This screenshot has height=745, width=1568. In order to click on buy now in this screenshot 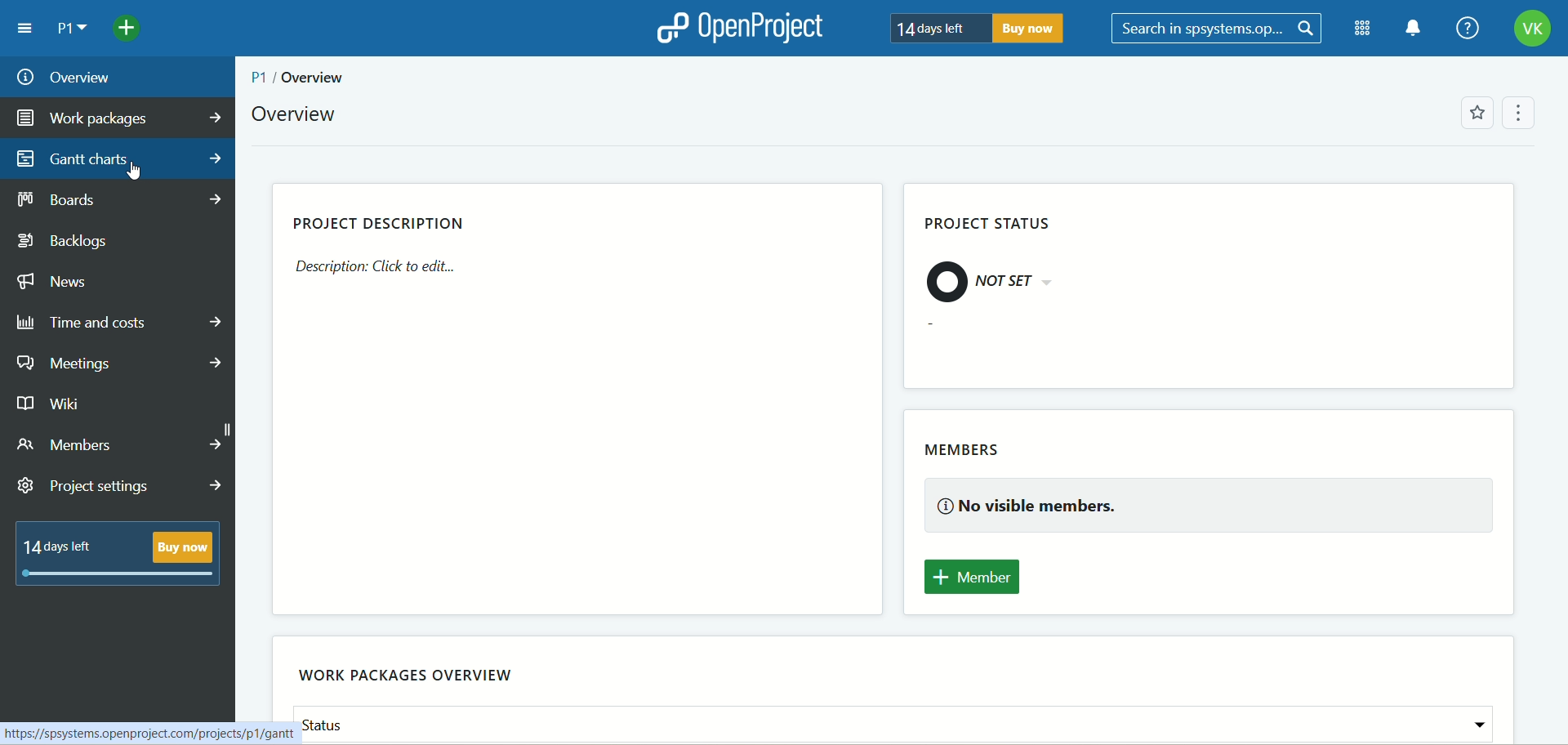, I will do `click(1035, 31)`.